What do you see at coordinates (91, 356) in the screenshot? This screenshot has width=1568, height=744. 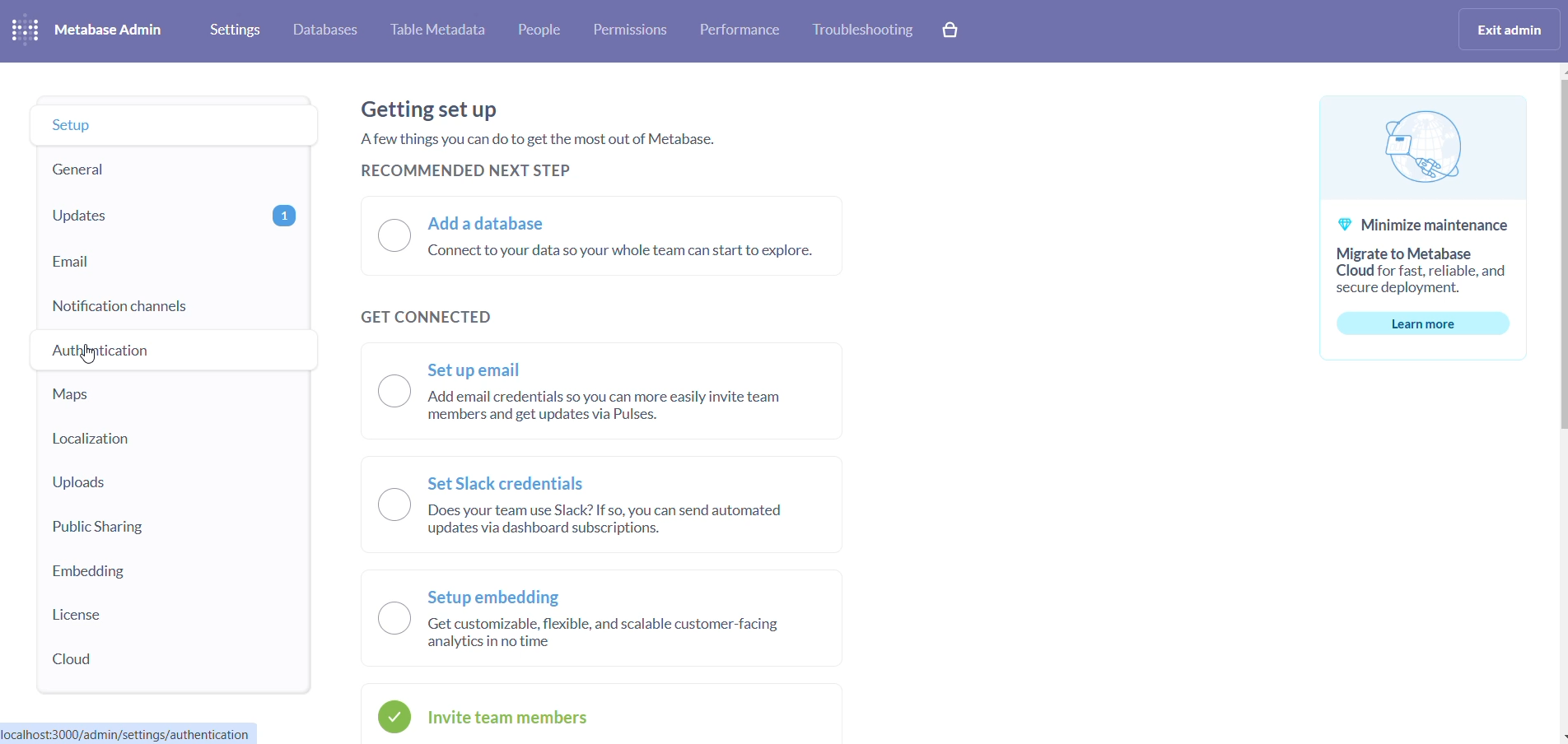 I see `cursor` at bounding box center [91, 356].